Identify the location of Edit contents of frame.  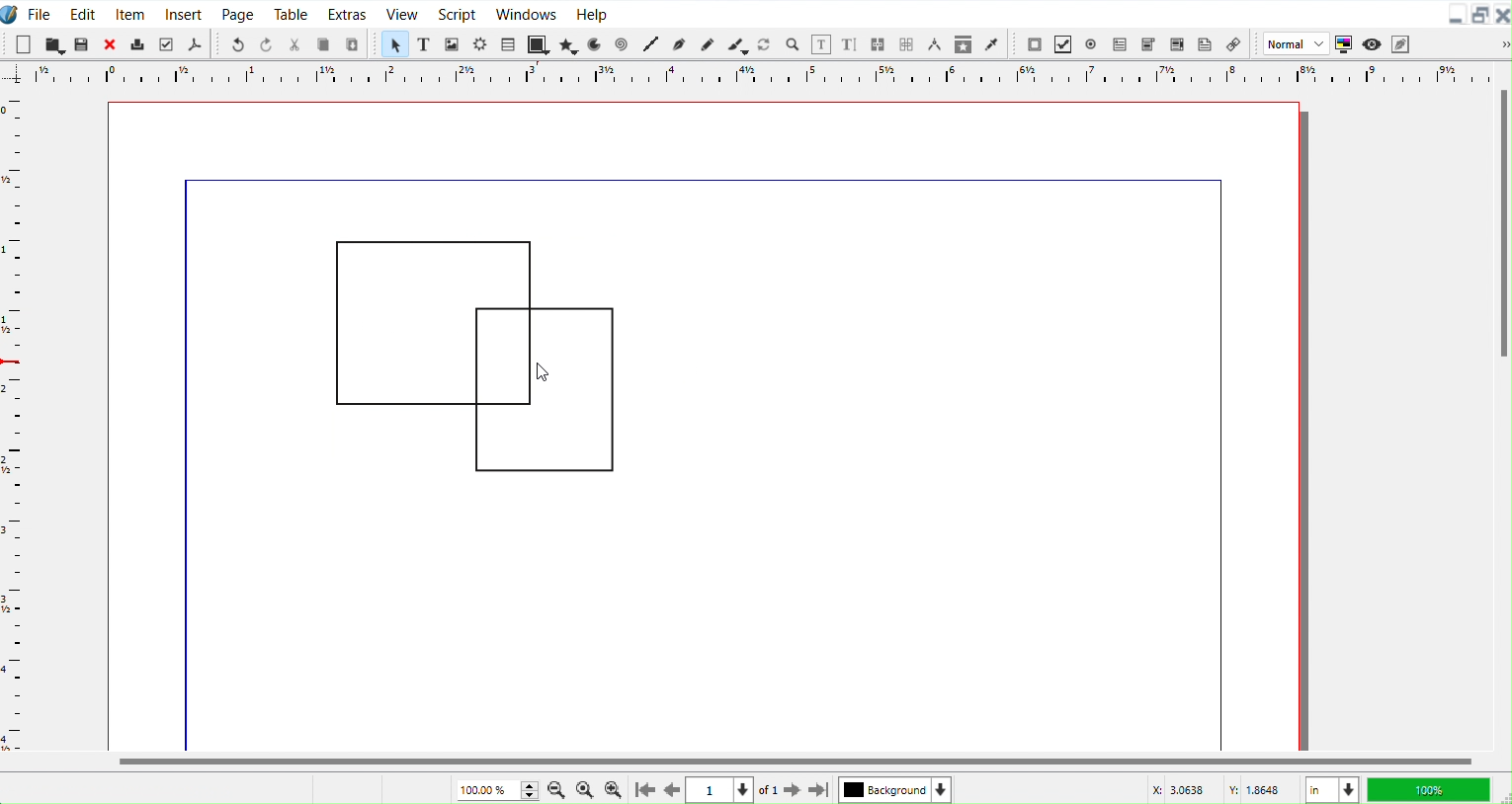
(821, 44).